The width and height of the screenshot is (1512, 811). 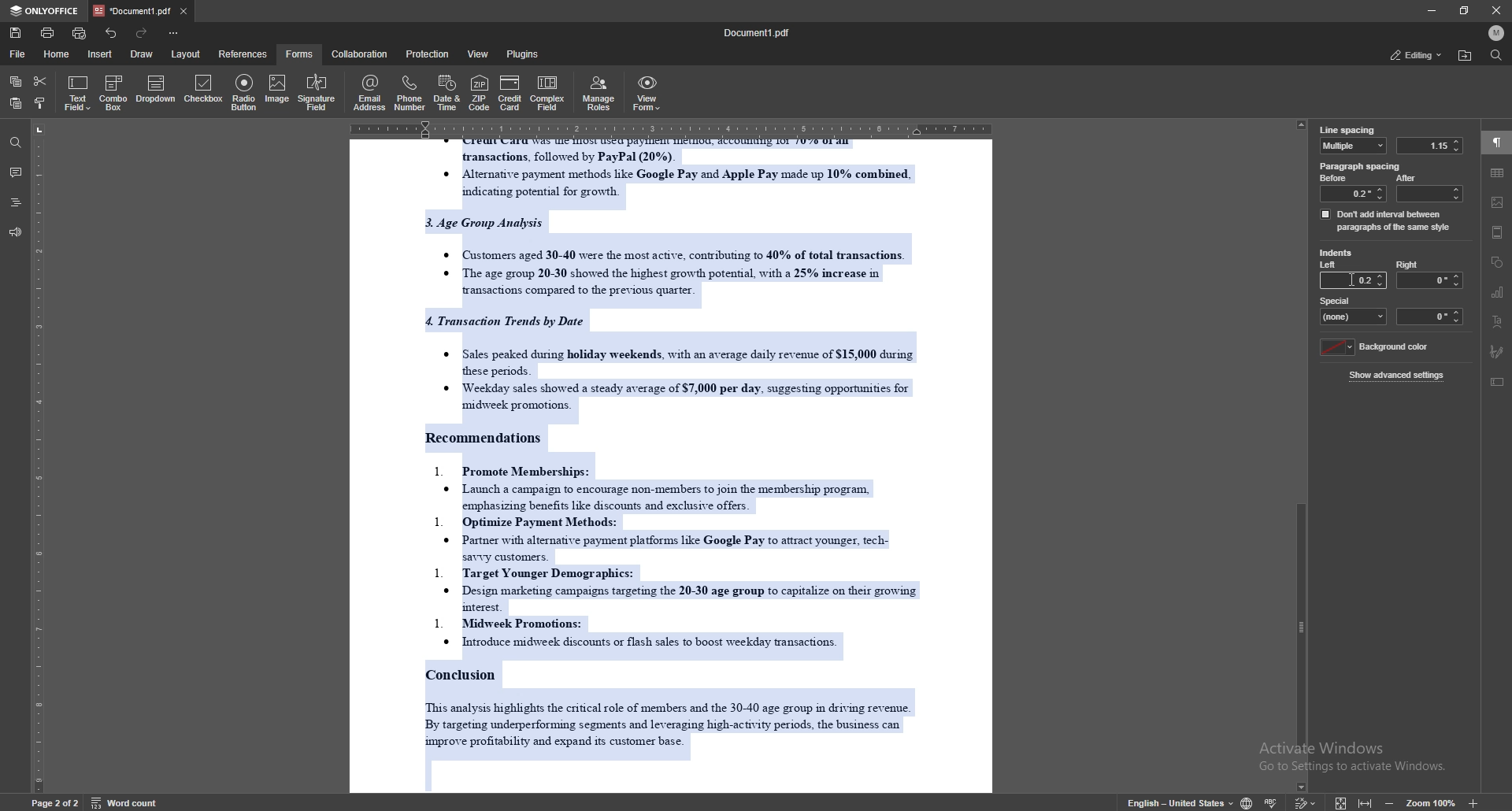 What do you see at coordinates (140, 33) in the screenshot?
I see `redo` at bounding box center [140, 33].